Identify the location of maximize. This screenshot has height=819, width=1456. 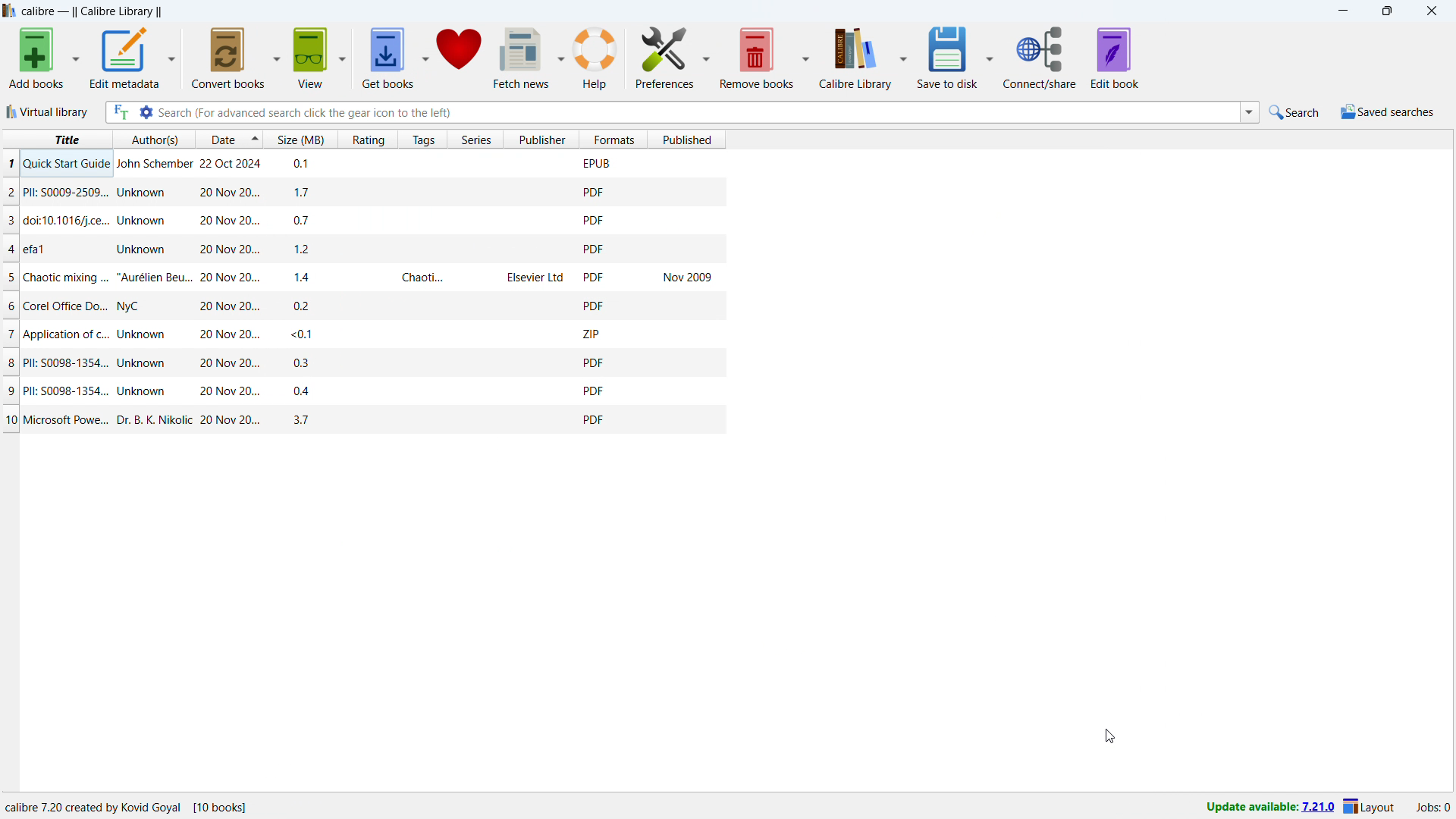
(1388, 11).